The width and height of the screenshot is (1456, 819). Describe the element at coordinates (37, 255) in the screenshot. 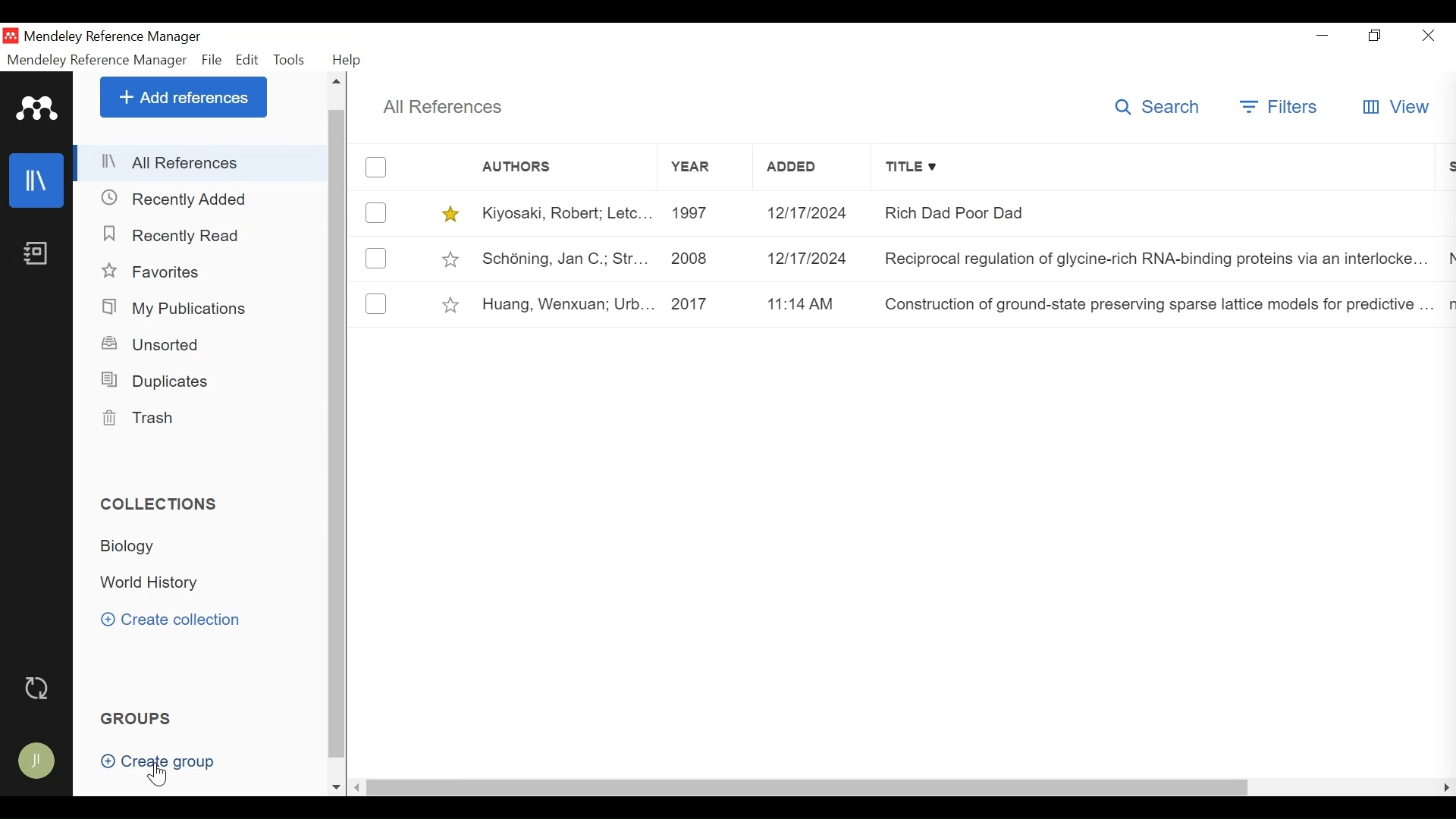

I see `Notebook` at that location.